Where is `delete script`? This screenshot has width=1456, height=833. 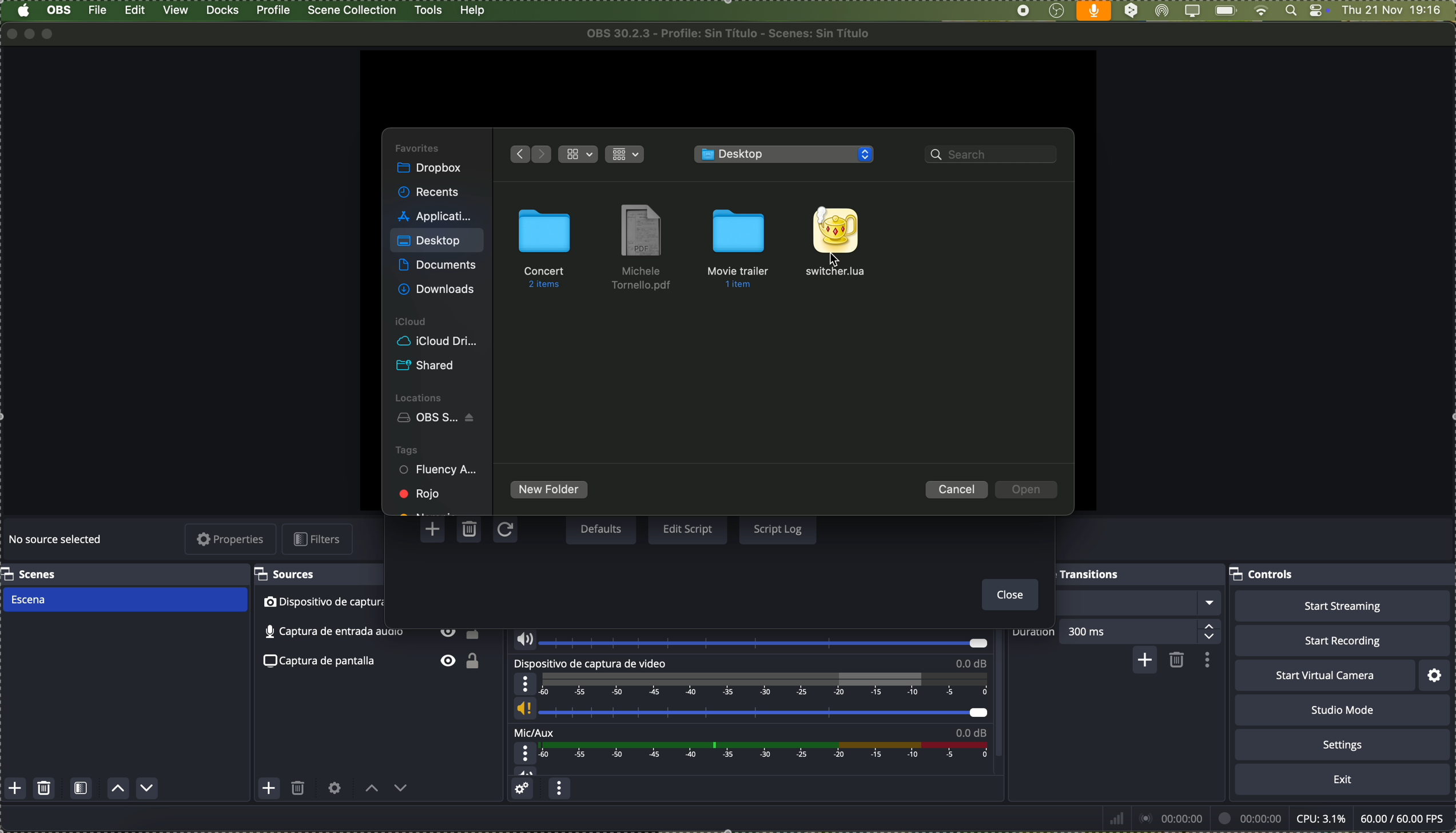 delete script is located at coordinates (471, 531).